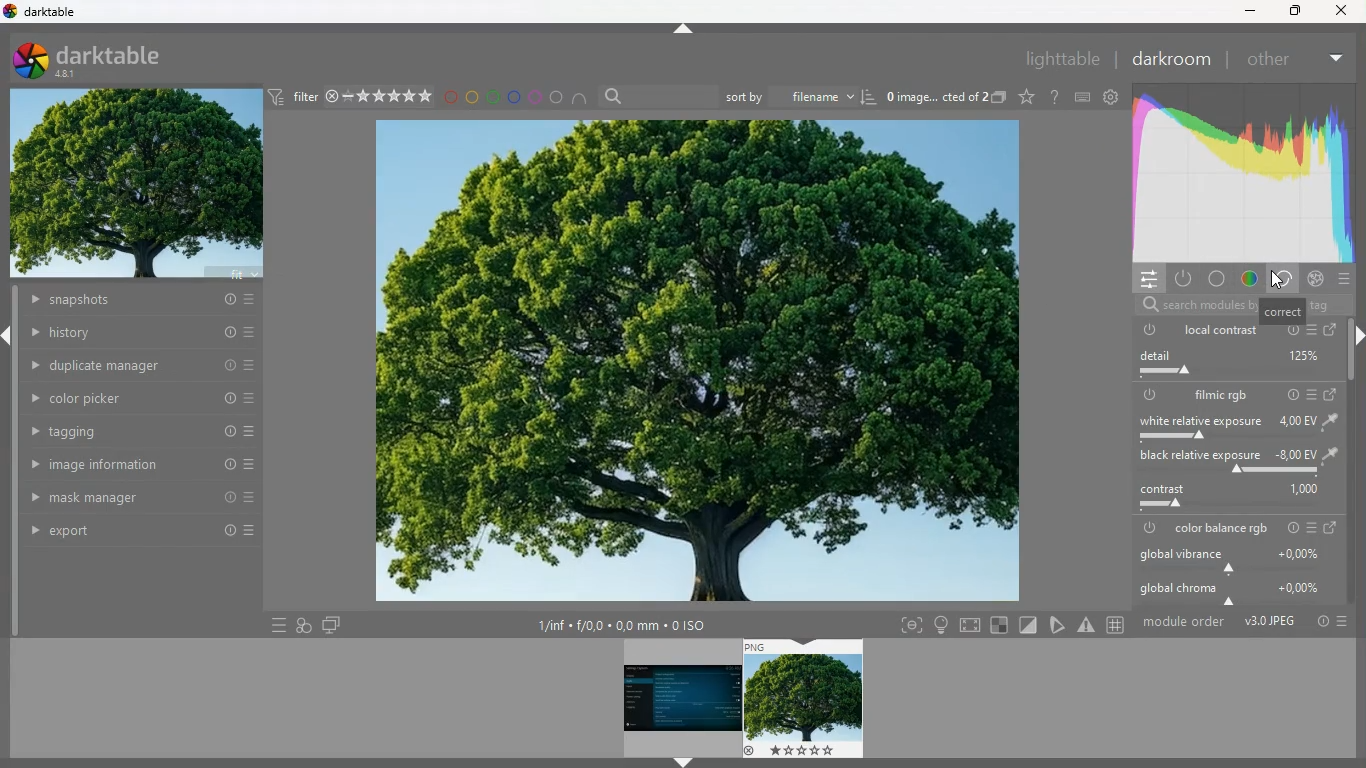  Describe the element at coordinates (1250, 280) in the screenshot. I see `color` at that location.